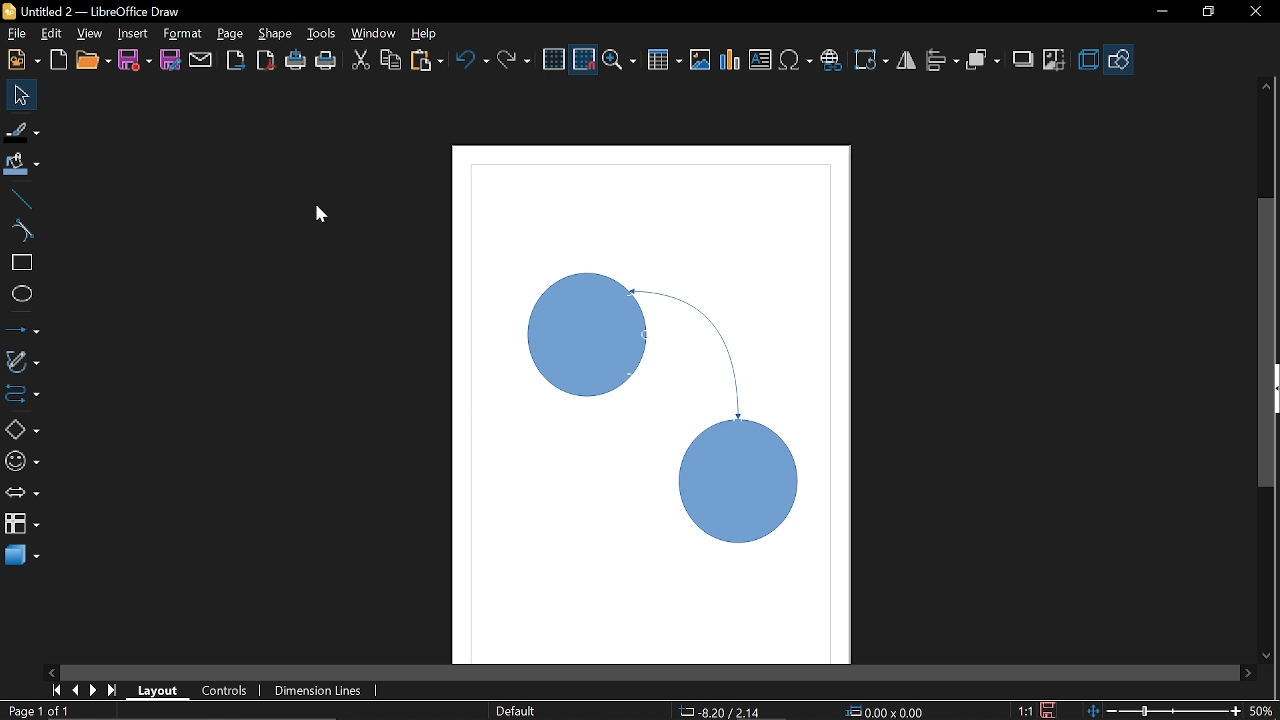 This screenshot has width=1280, height=720. Describe the element at coordinates (94, 689) in the screenshot. I see `next page` at that location.